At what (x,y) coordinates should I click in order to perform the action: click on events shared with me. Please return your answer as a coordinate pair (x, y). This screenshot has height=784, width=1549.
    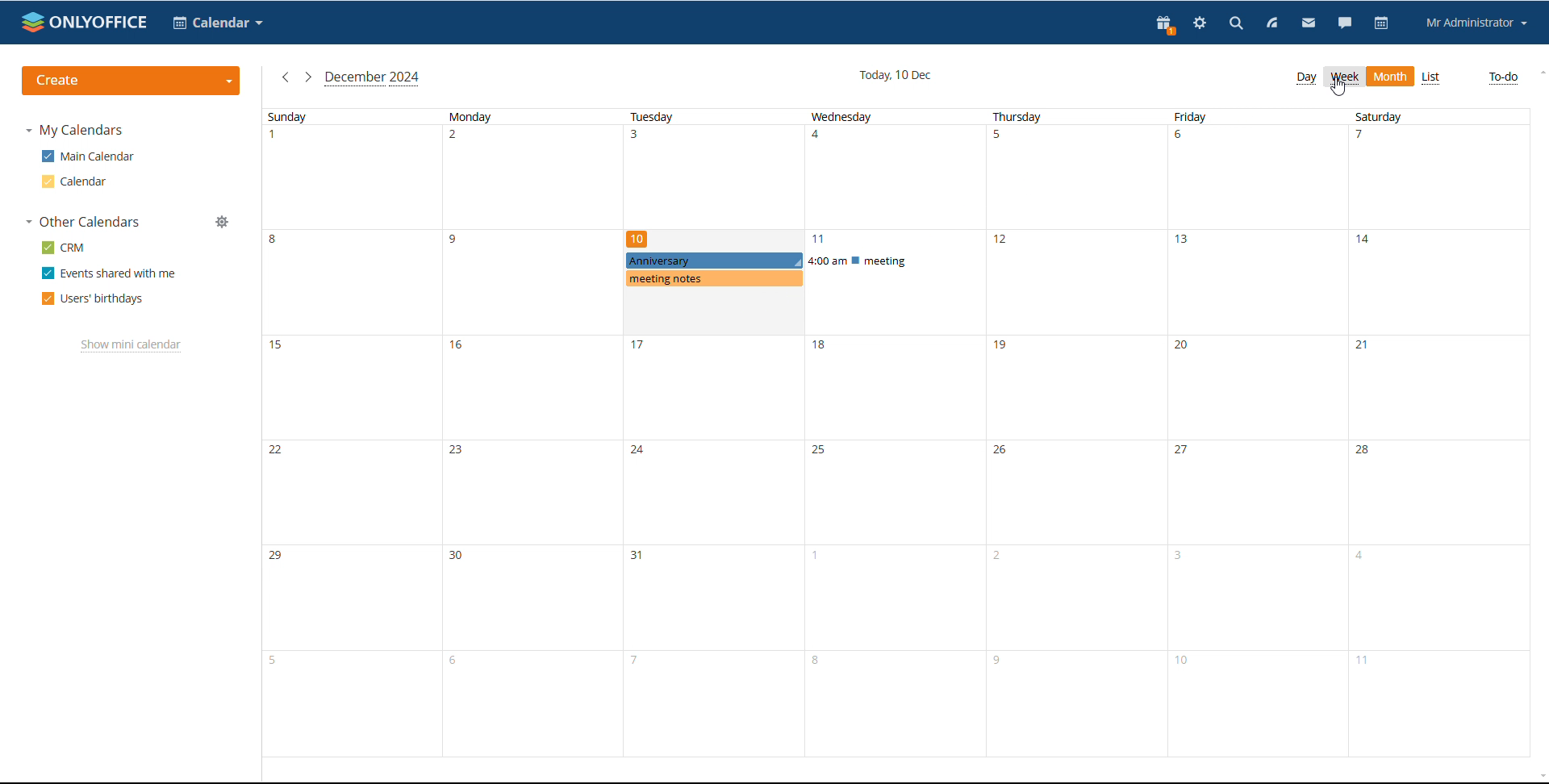
    Looking at the image, I should click on (109, 273).